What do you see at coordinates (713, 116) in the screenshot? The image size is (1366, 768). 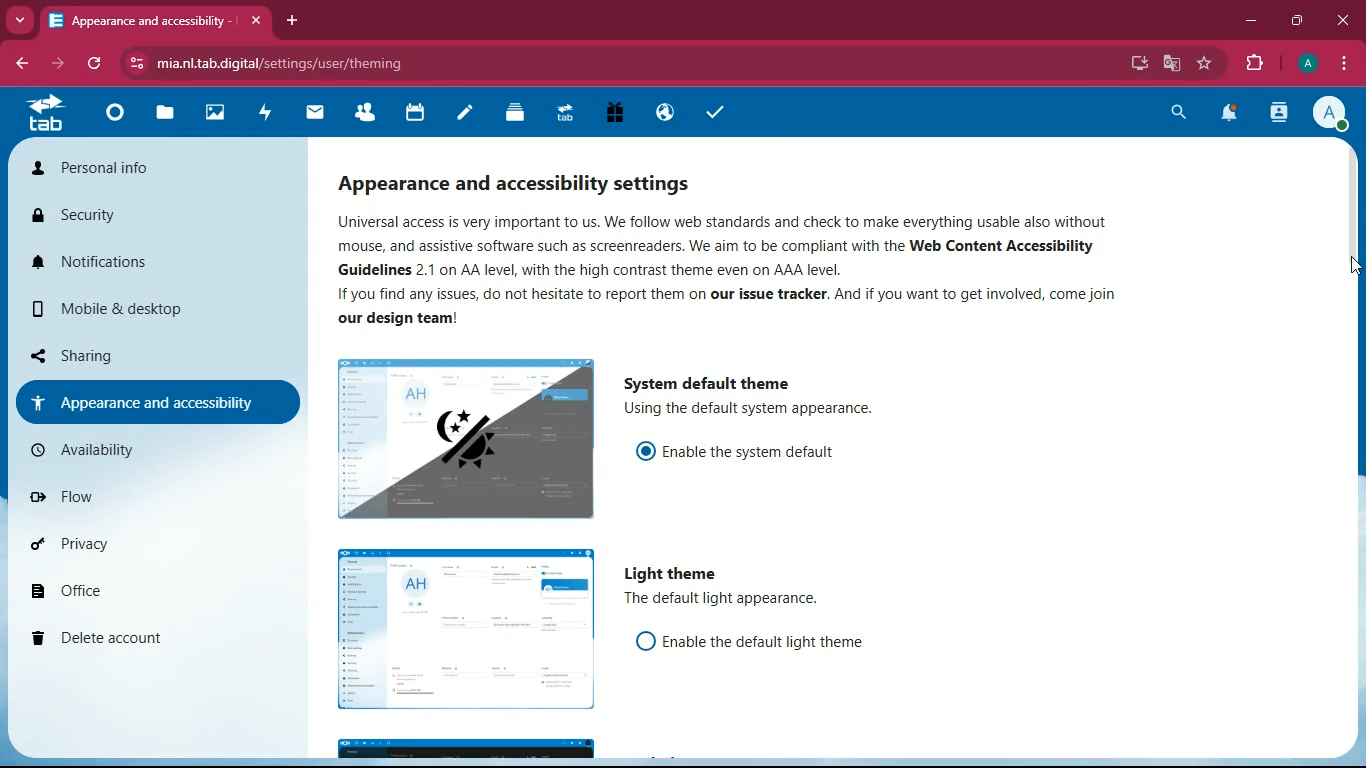 I see `tasks` at bounding box center [713, 116].